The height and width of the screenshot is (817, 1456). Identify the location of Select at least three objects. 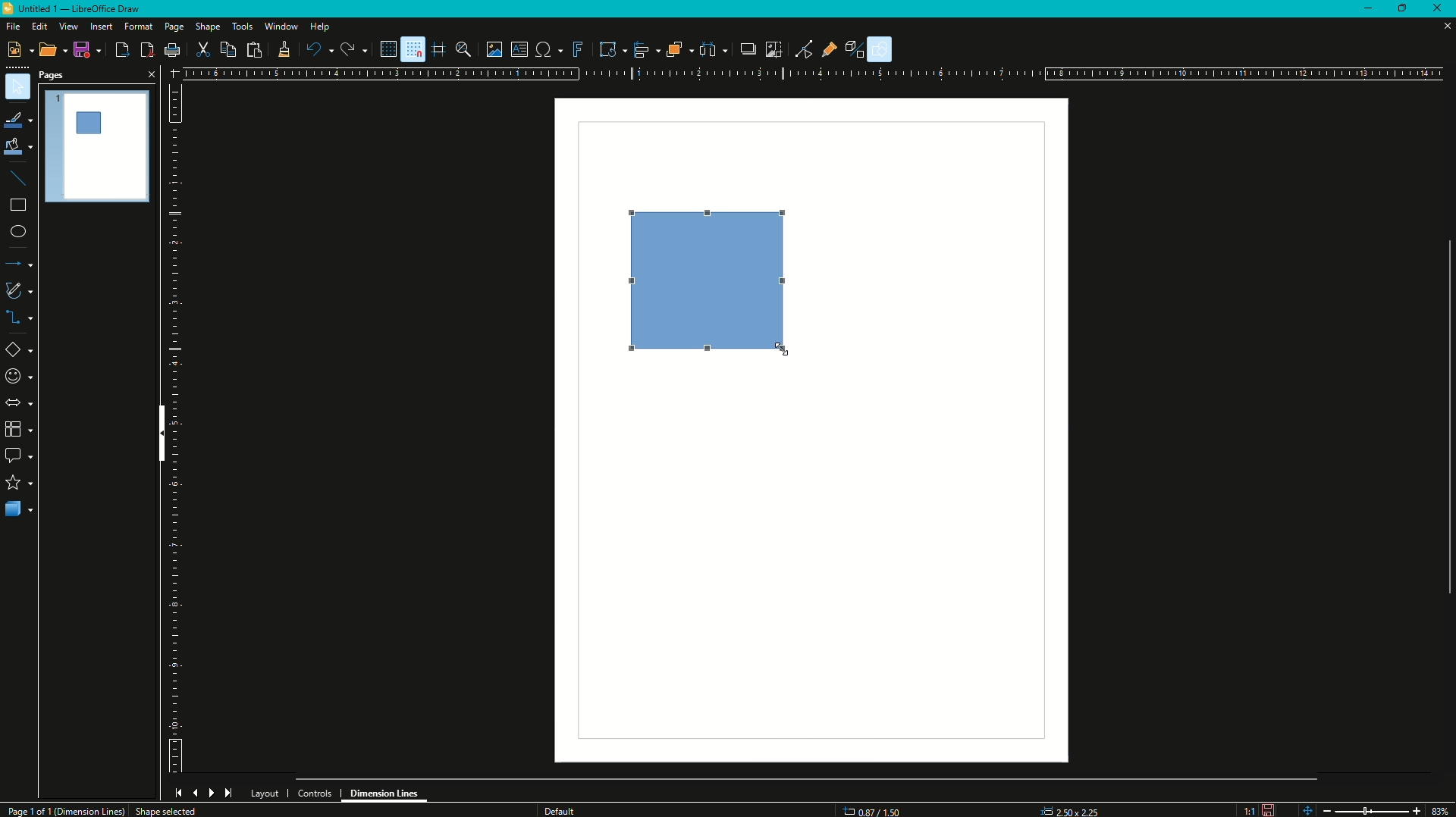
(713, 48).